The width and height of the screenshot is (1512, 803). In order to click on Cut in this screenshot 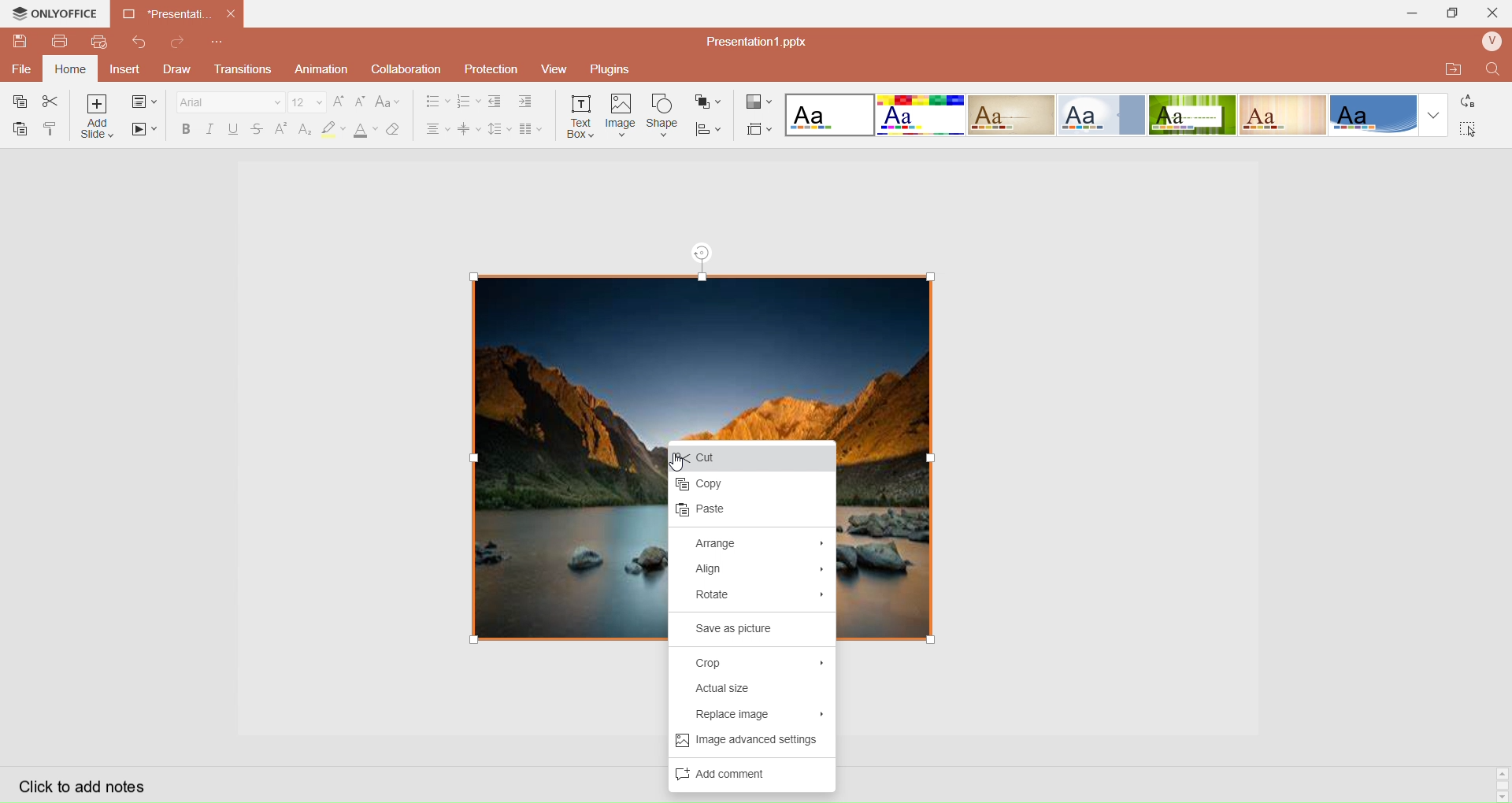, I will do `click(753, 459)`.